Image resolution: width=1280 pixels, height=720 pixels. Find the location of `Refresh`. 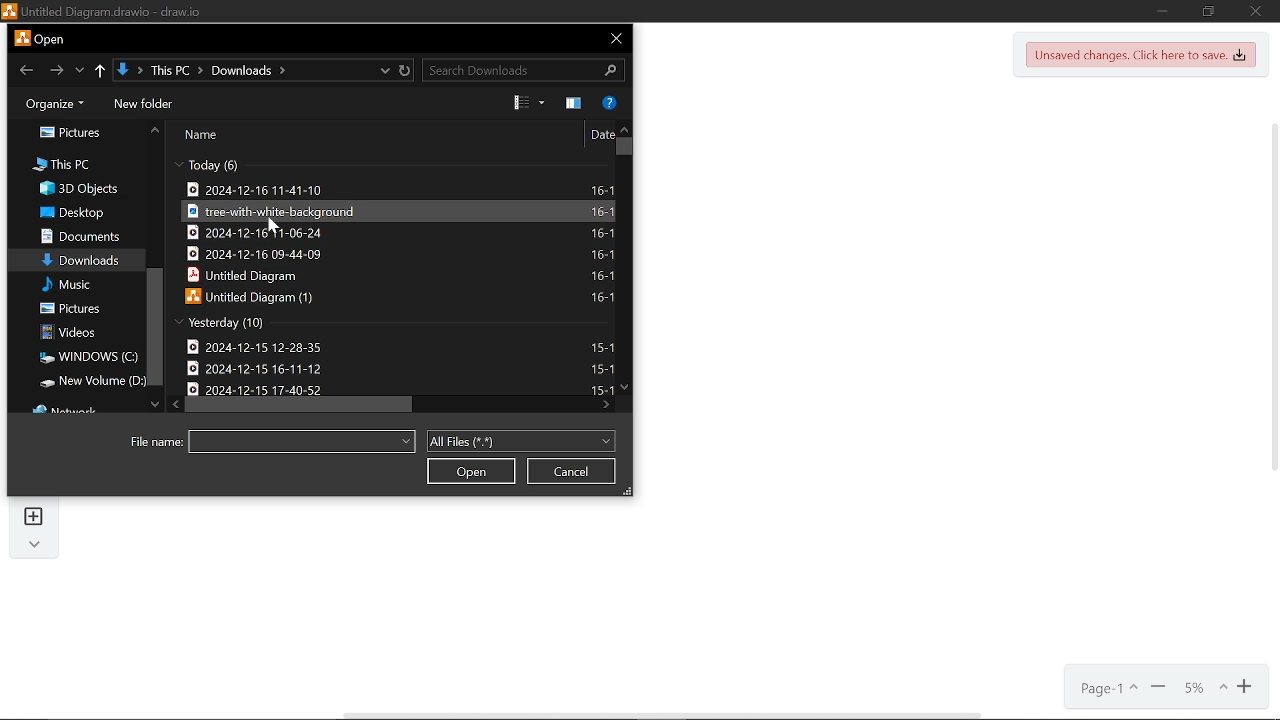

Refresh is located at coordinates (405, 73).